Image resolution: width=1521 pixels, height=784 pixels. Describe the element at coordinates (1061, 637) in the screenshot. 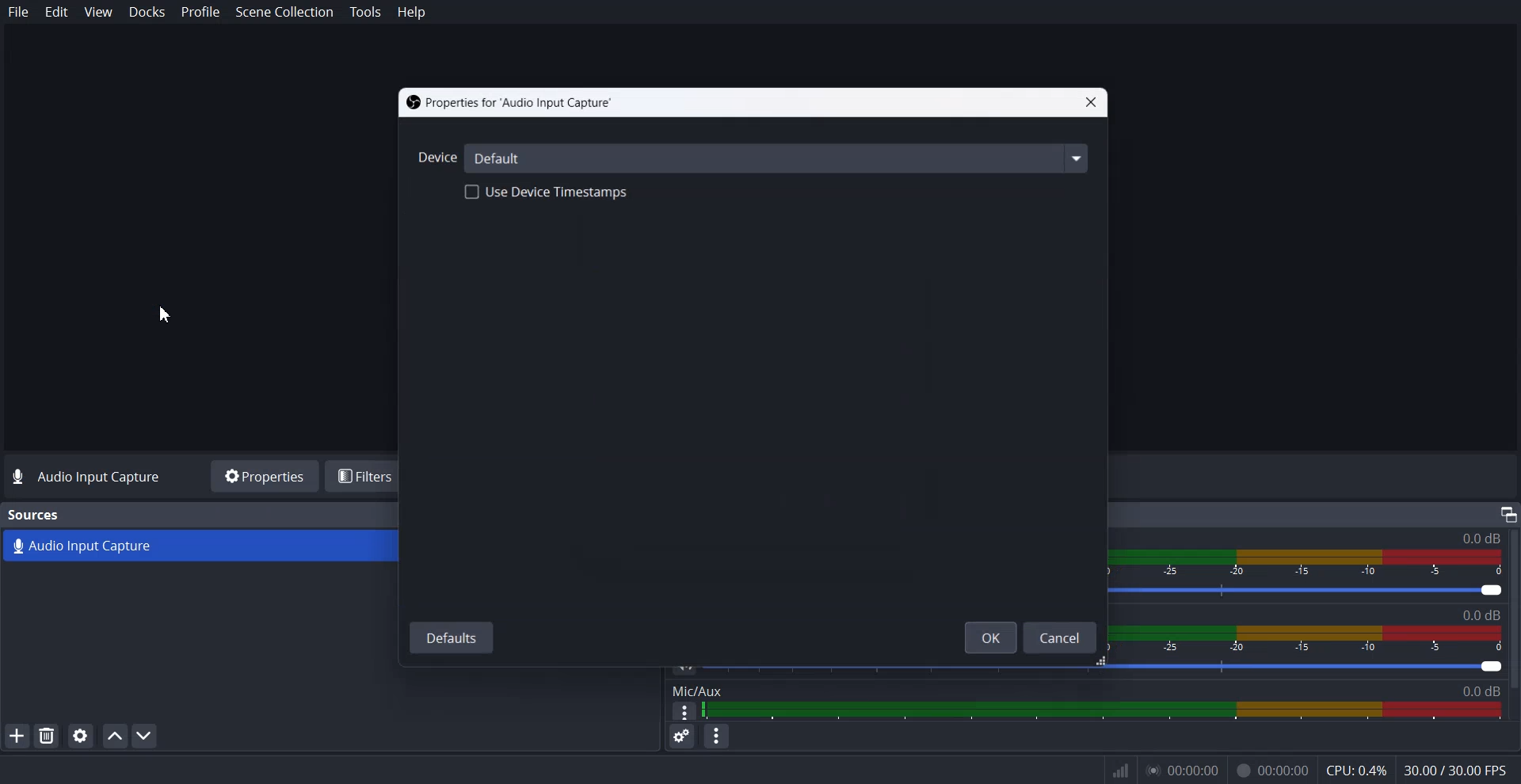

I see `Cancel` at that location.